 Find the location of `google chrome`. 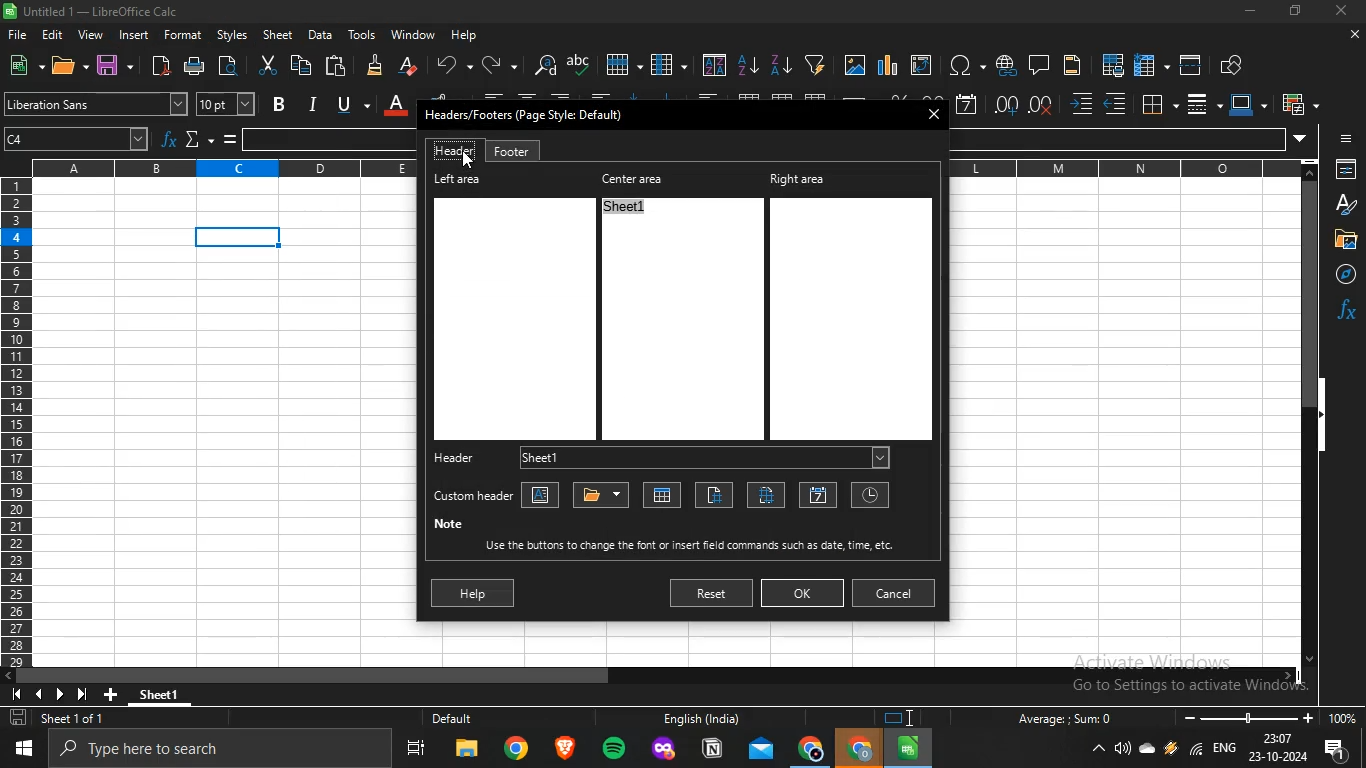

google chrome is located at coordinates (811, 750).